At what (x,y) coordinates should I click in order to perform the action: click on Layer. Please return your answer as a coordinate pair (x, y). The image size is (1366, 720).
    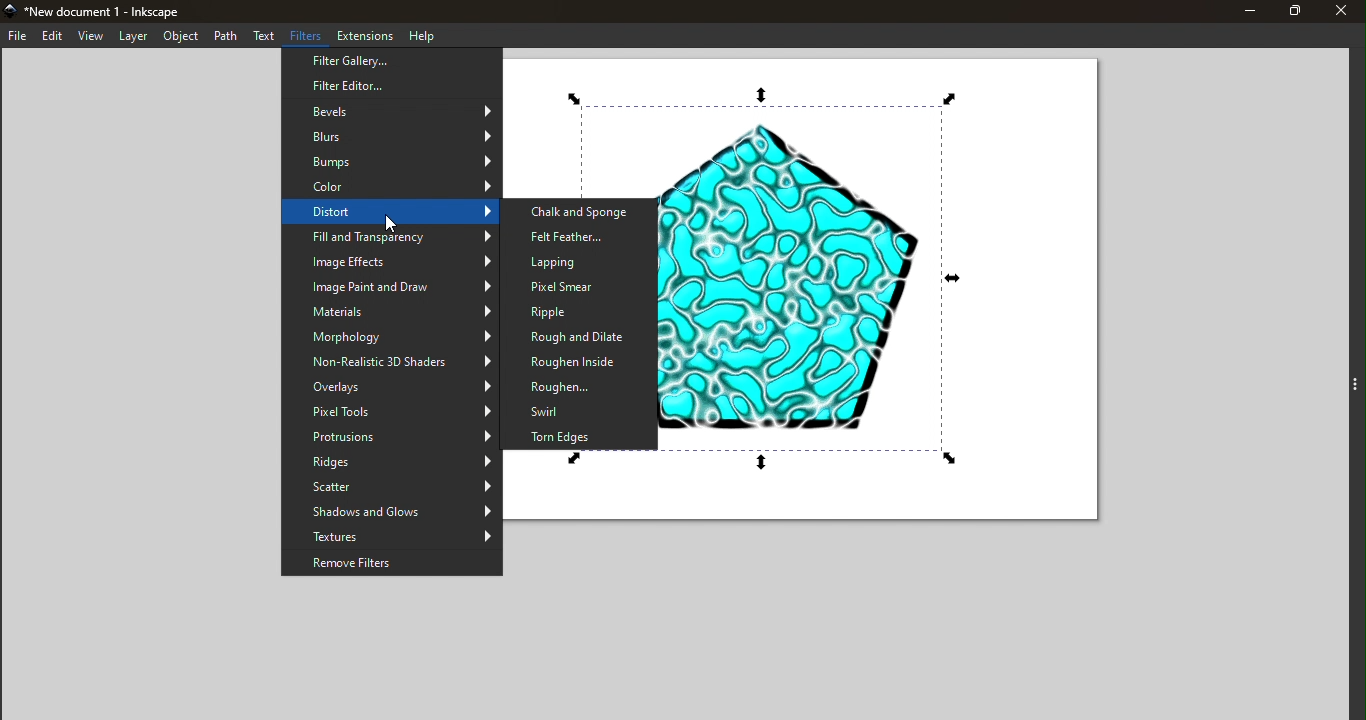
    Looking at the image, I should click on (133, 37).